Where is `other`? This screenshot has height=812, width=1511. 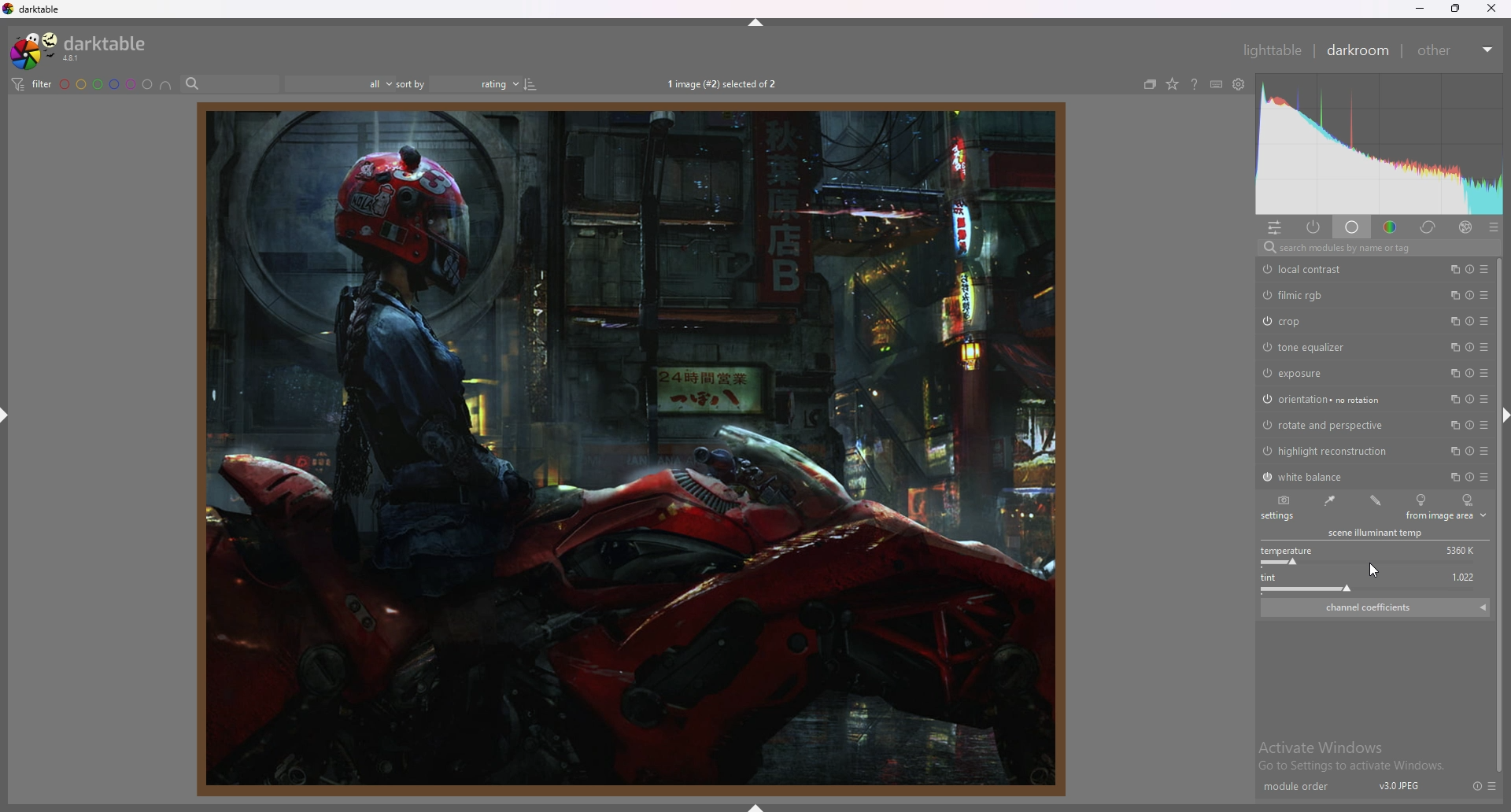
other is located at coordinates (1456, 50).